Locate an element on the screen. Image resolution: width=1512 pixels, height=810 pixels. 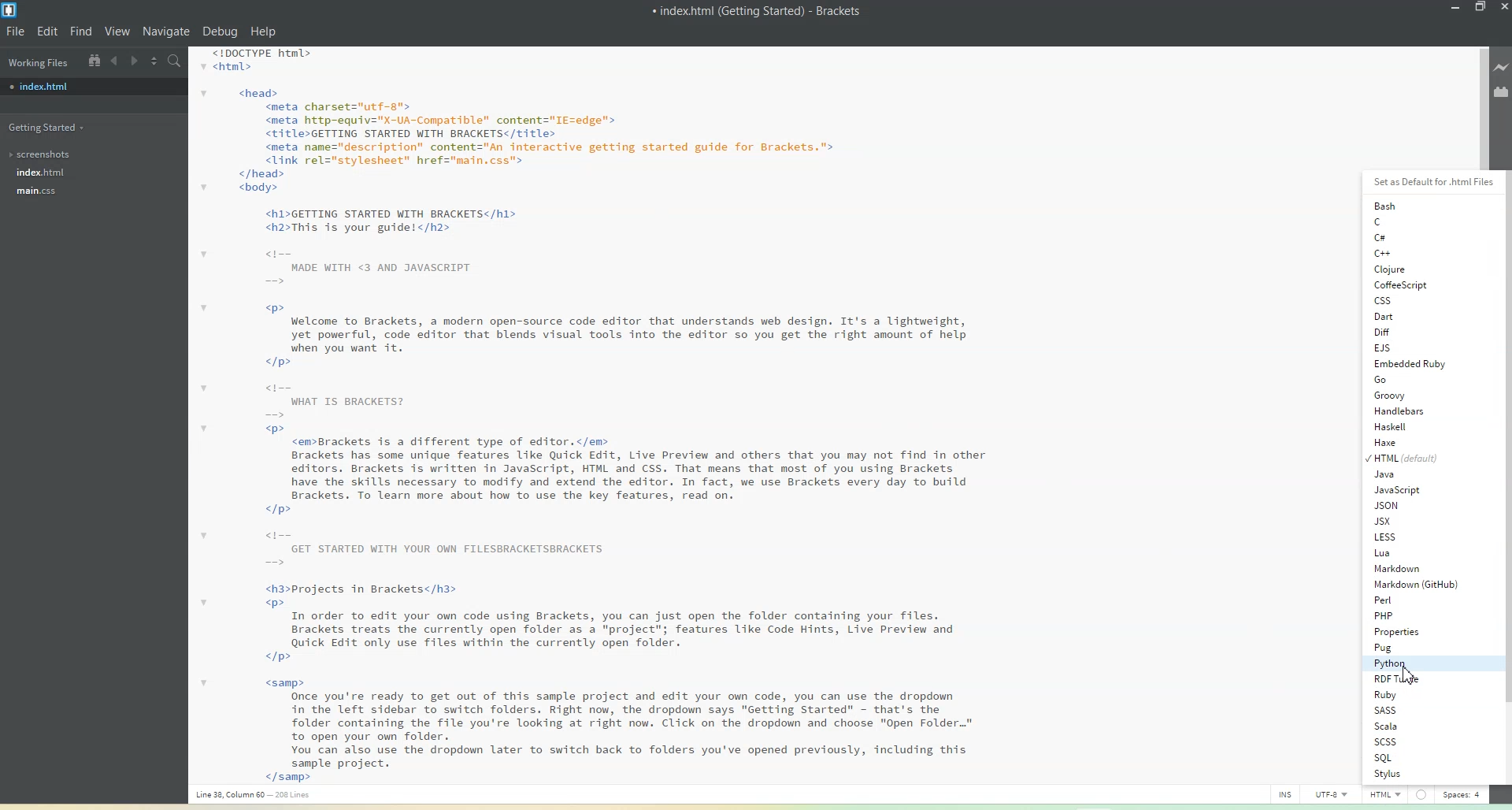
Text is located at coordinates (758, 10).